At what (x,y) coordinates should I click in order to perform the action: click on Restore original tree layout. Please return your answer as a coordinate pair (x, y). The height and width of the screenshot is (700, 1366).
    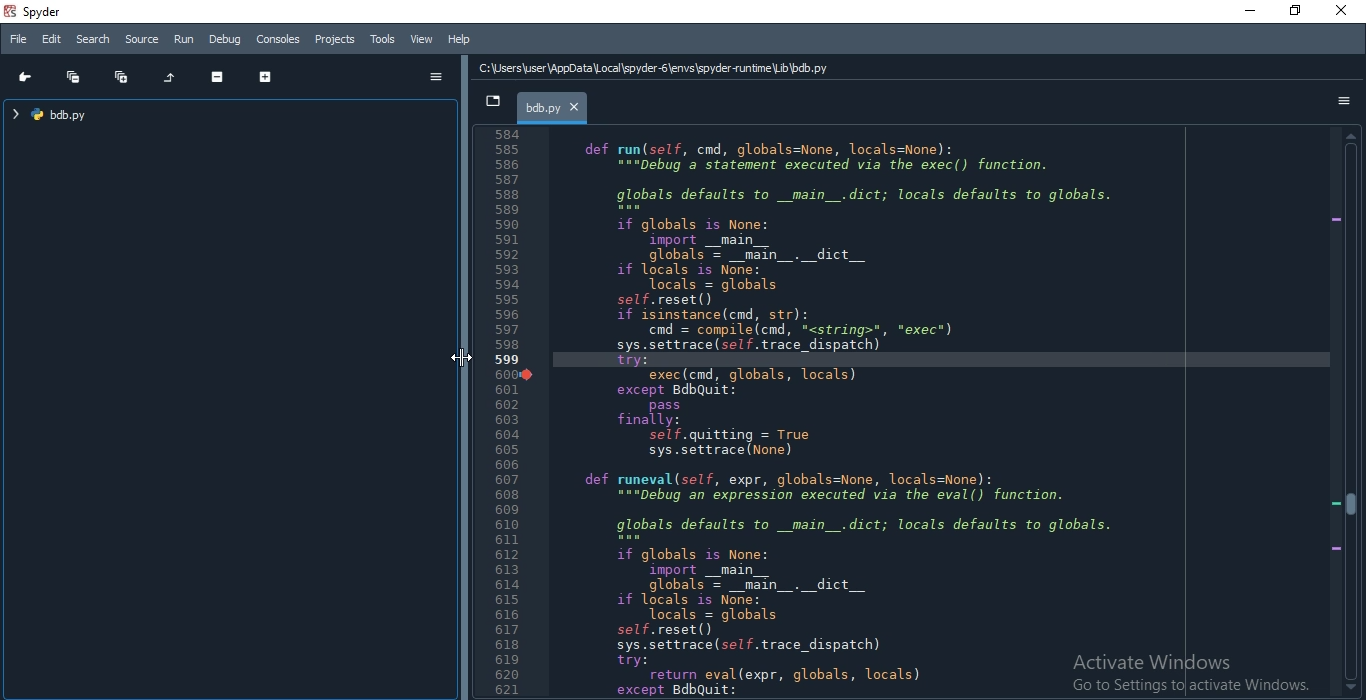
    Looking at the image, I should click on (170, 78).